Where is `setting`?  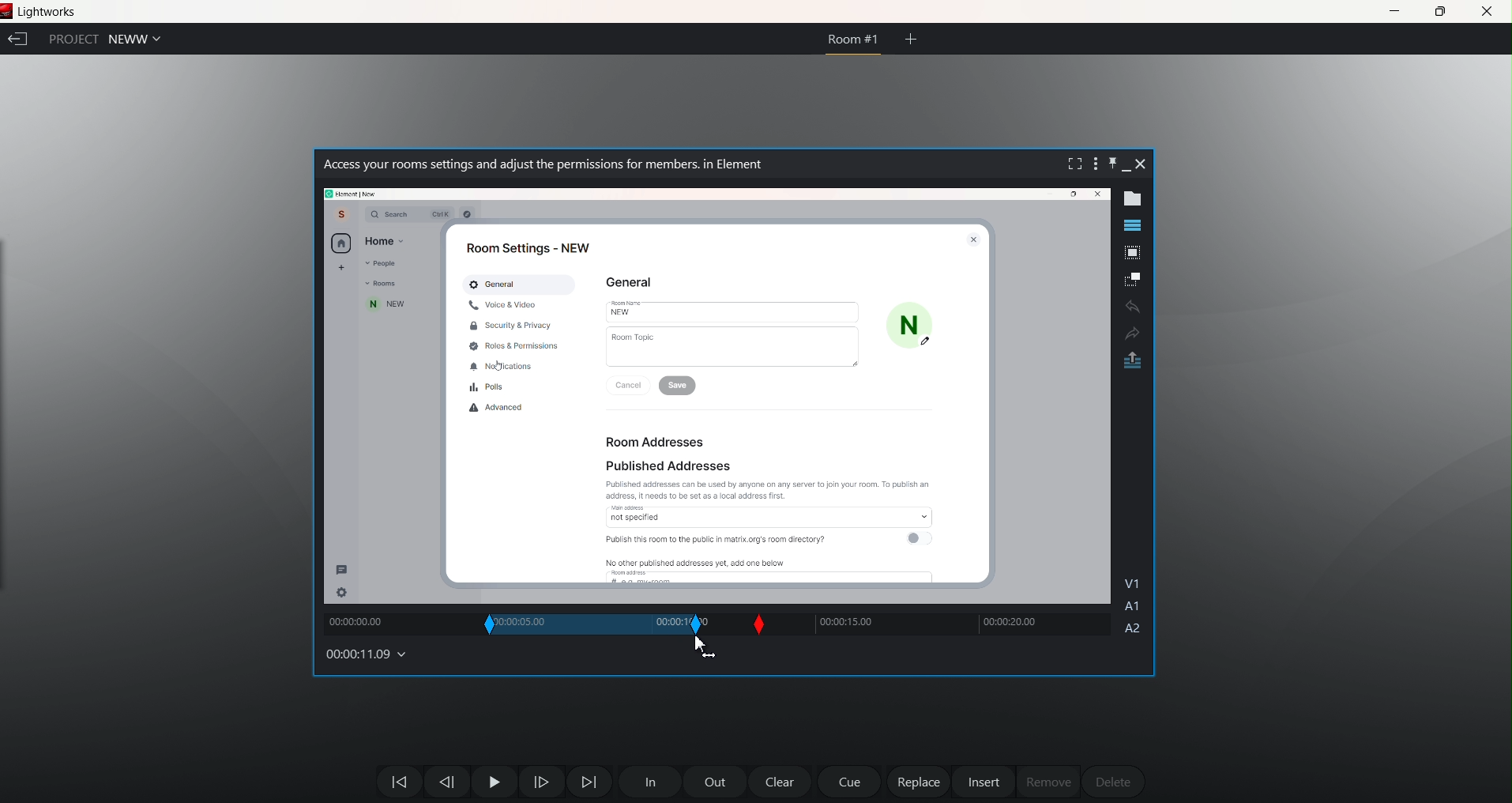
setting is located at coordinates (341, 591).